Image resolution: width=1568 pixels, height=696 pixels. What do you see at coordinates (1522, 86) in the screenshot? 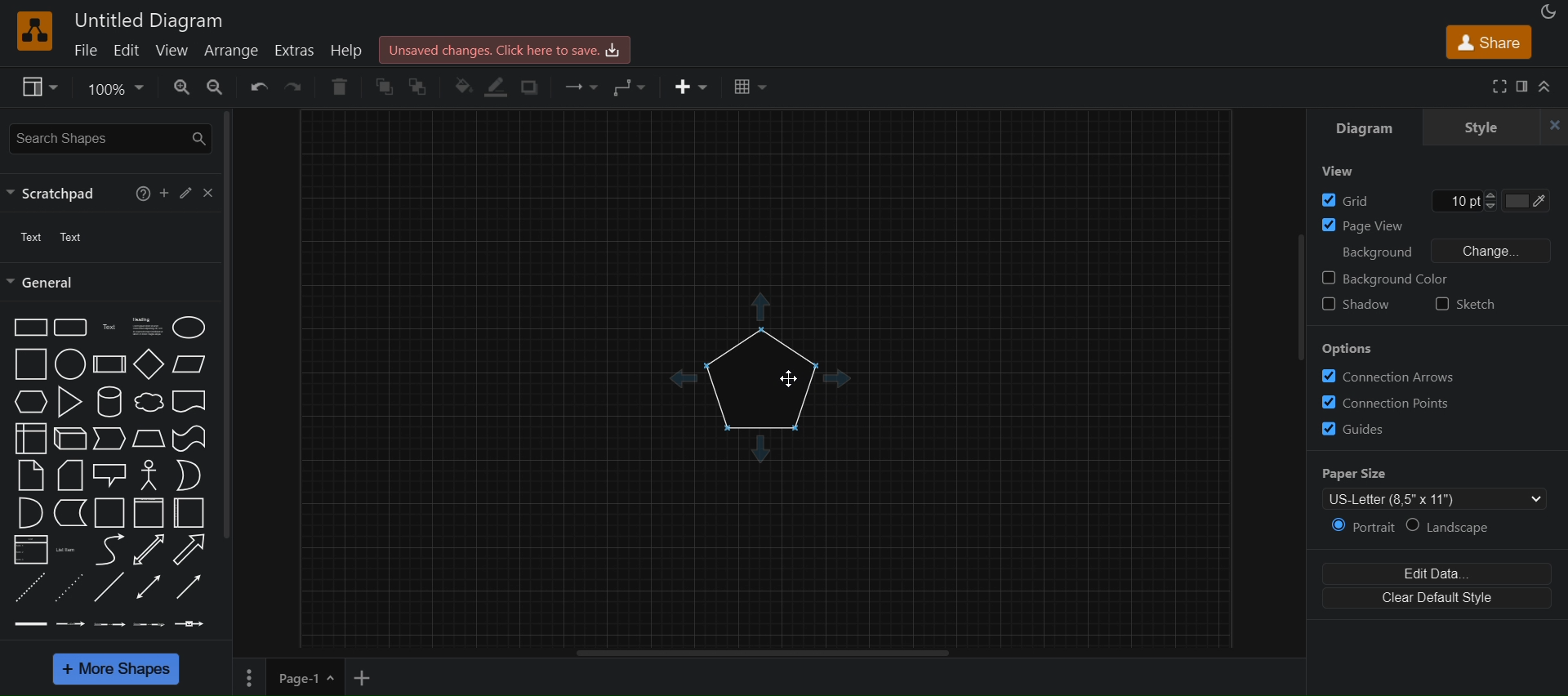
I see `format` at bounding box center [1522, 86].